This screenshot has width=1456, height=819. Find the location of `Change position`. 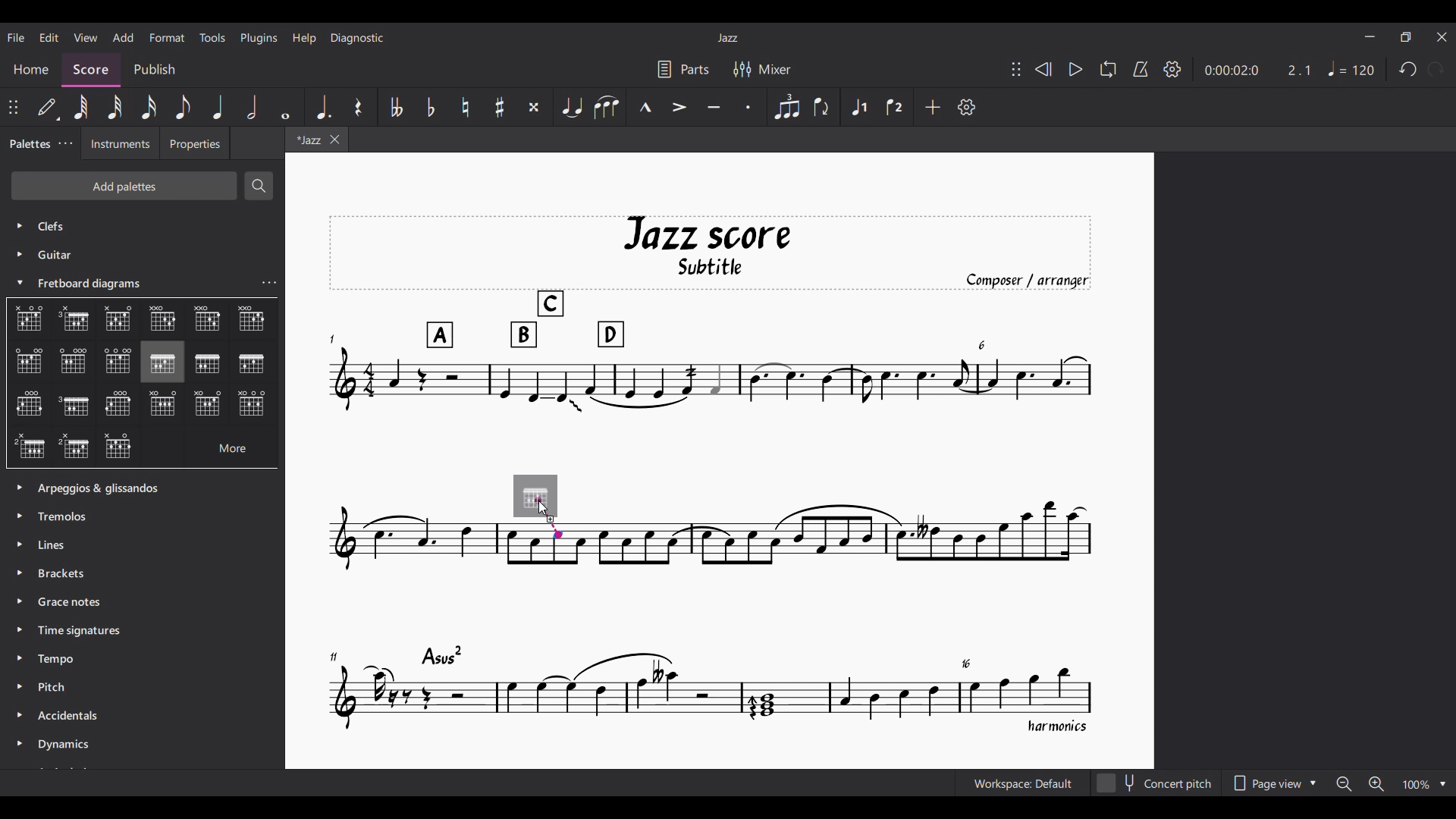

Change position is located at coordinates (1016, 69).